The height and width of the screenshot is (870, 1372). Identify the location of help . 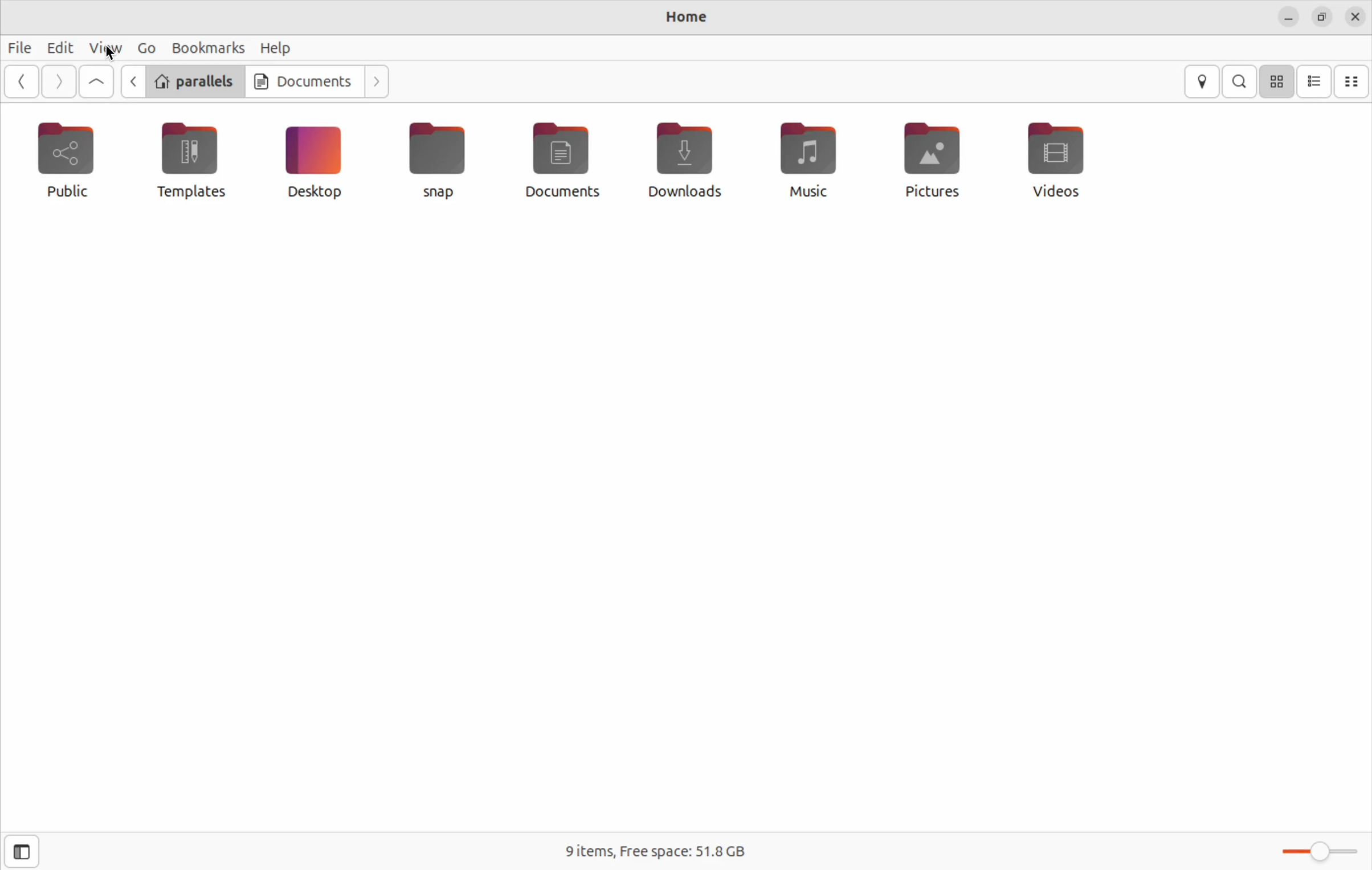
(276, 47).